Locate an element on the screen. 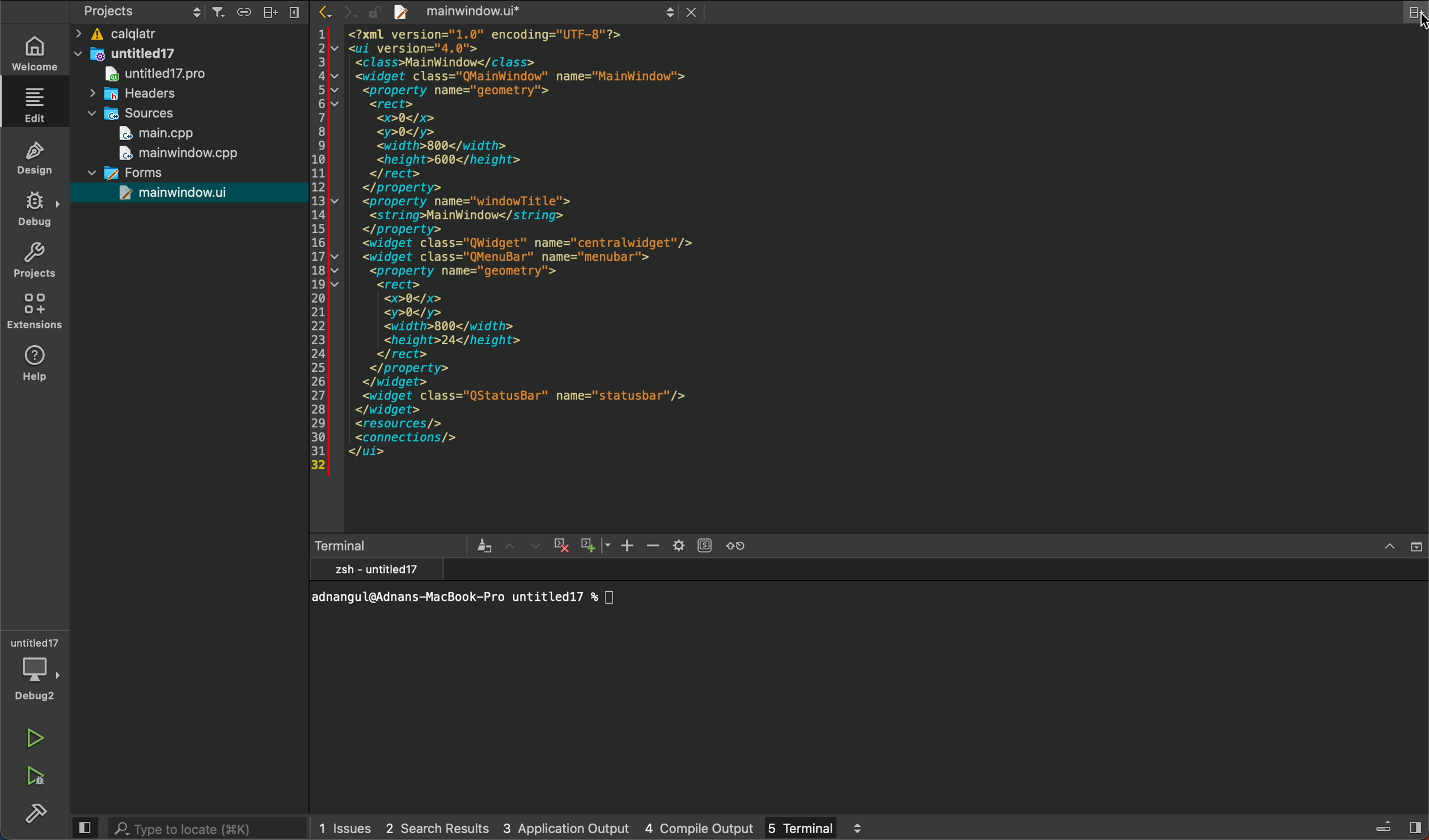 This screenshot has width=1429, height=840. search is located at coordinates (209, 828).